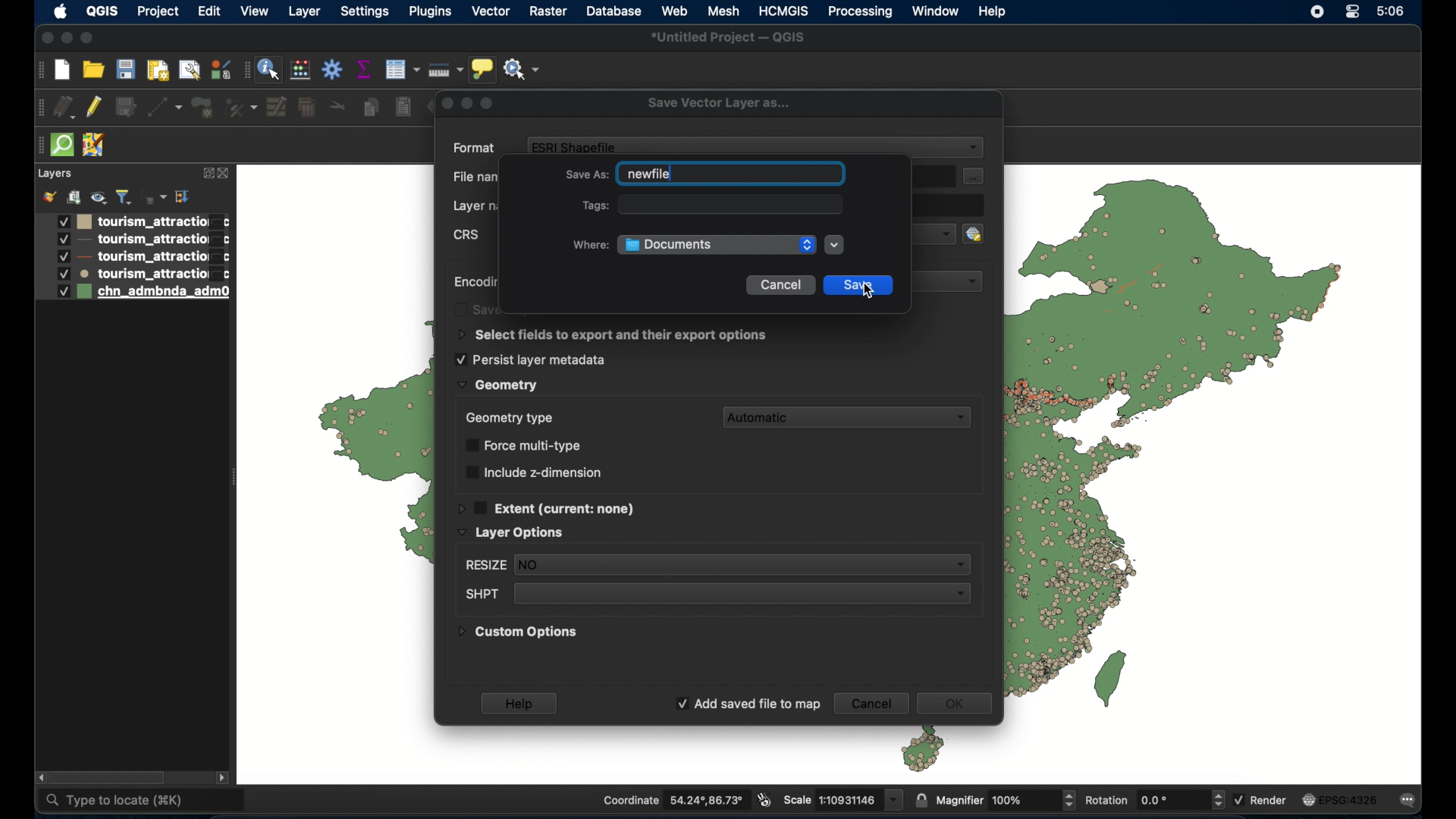 The height and width of the screenshot is (819, 1456). Describe the element at coordinates (268, 69) in the screenshot. I see `identify feature` at that location.